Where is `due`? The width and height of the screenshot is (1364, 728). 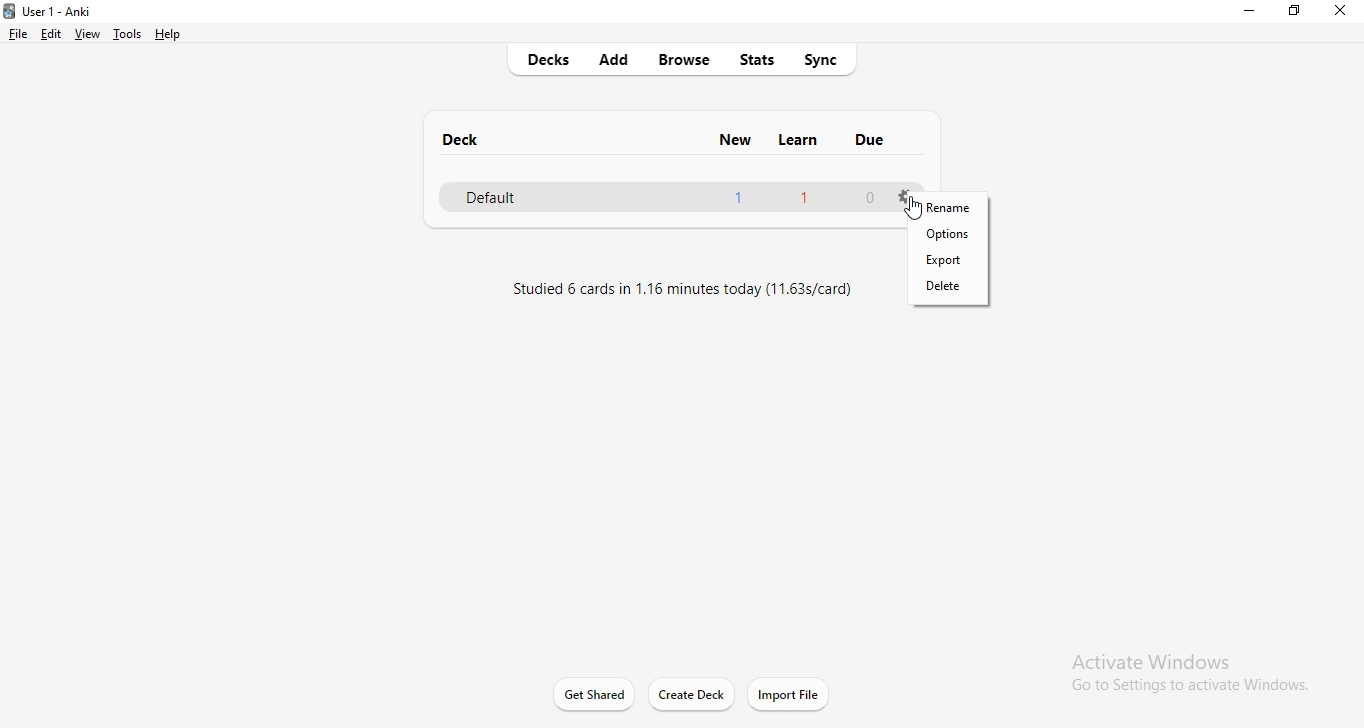
due is located at coordinates (870, 139).